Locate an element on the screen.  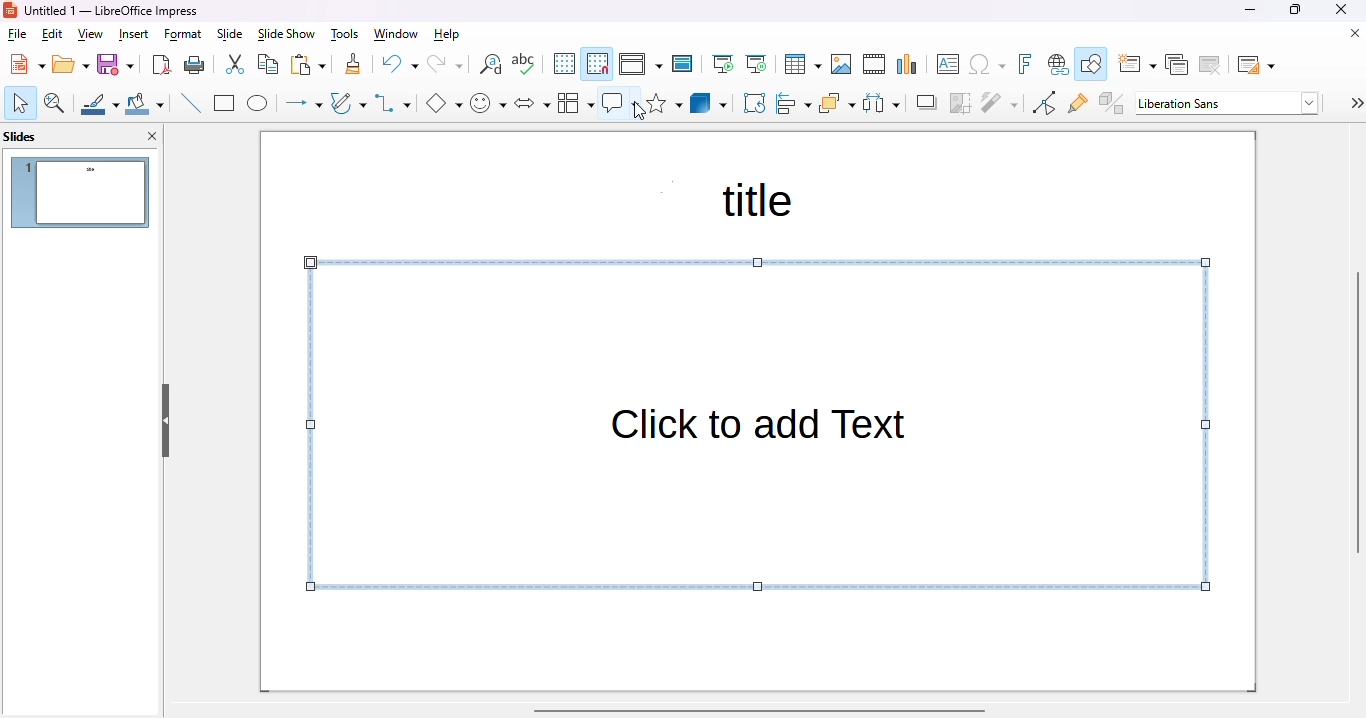
flowchart is located at coordinates (575, 103).